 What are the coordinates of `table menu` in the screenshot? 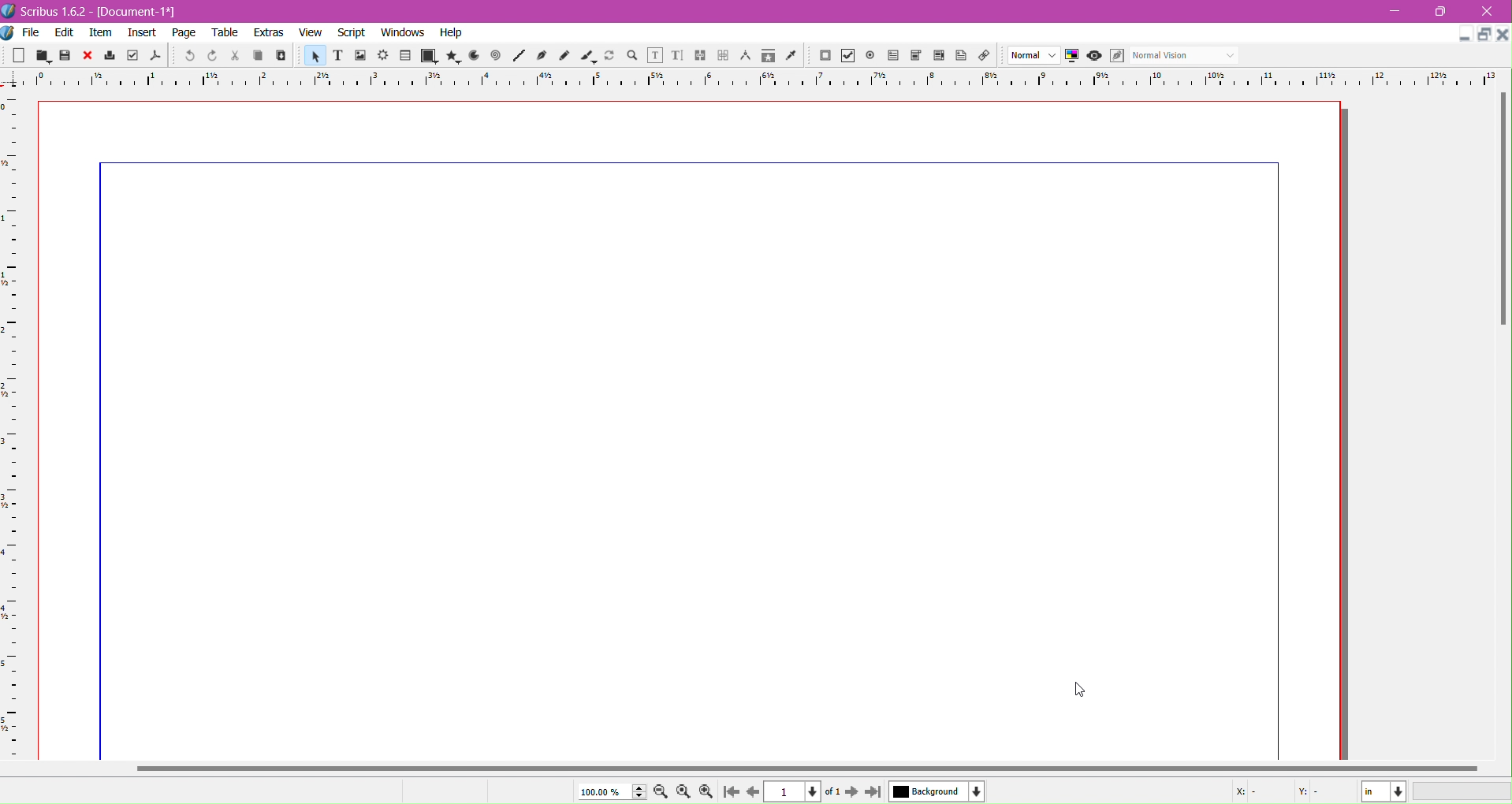 It's located at (225, 33).